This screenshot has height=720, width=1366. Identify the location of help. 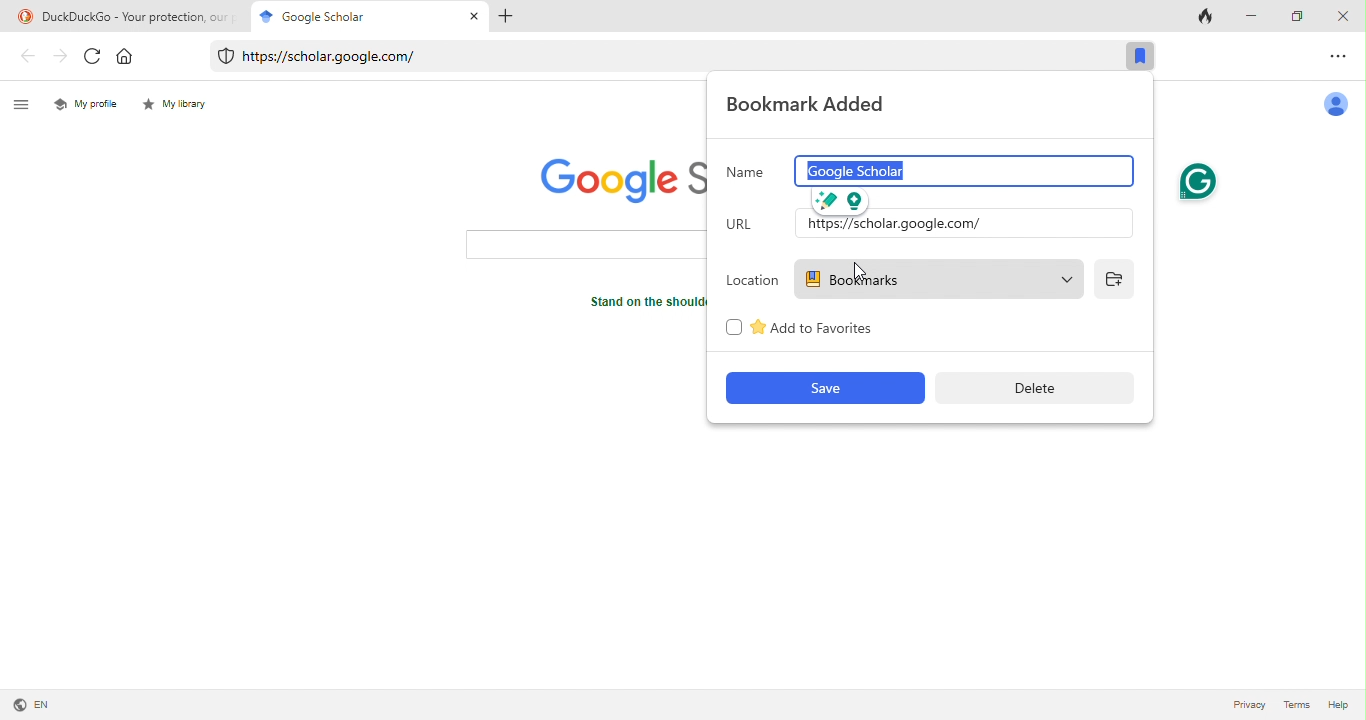
(1337, 706).